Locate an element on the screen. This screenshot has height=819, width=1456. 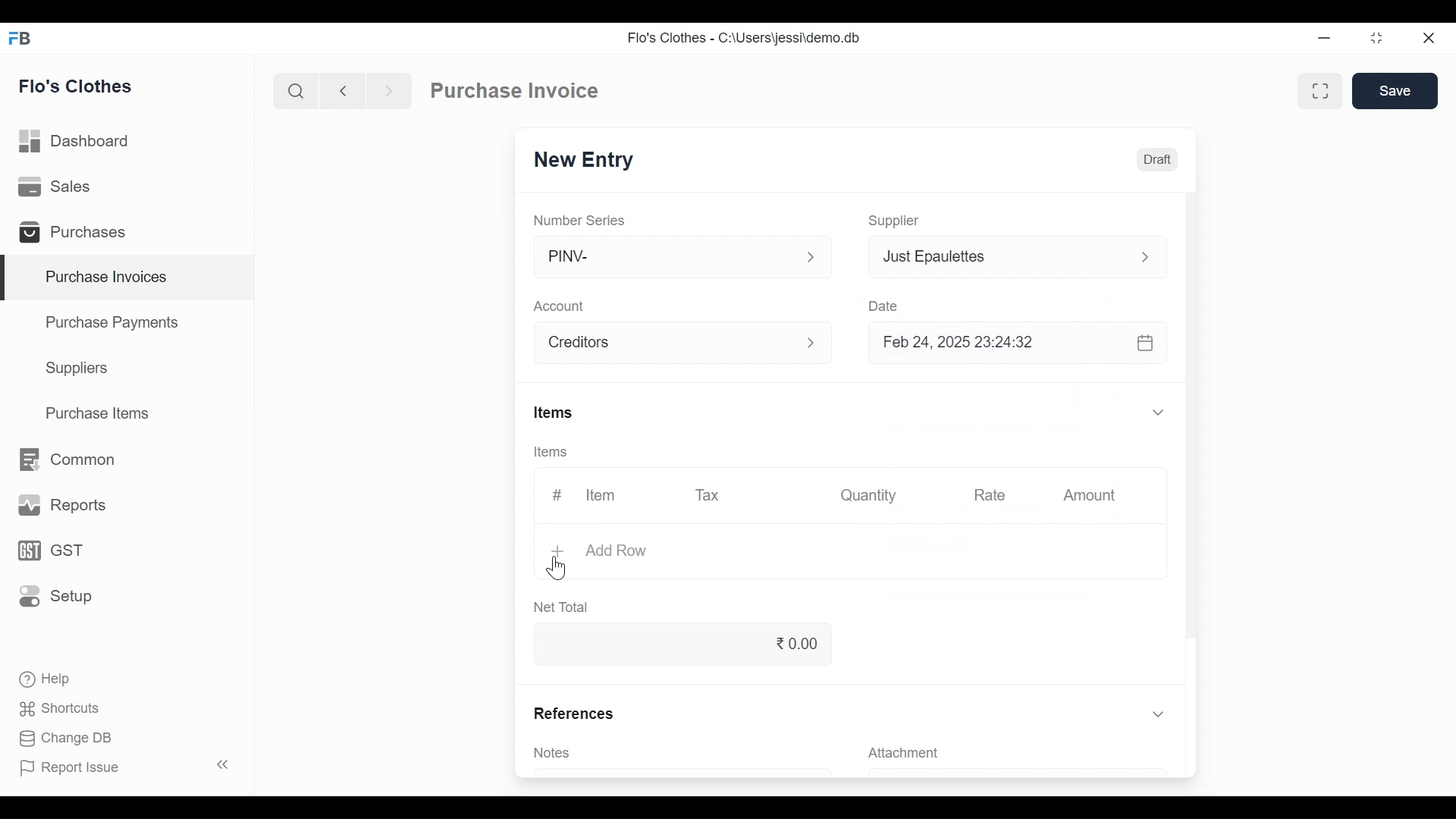
Close is located at coordinates (1429, 38).